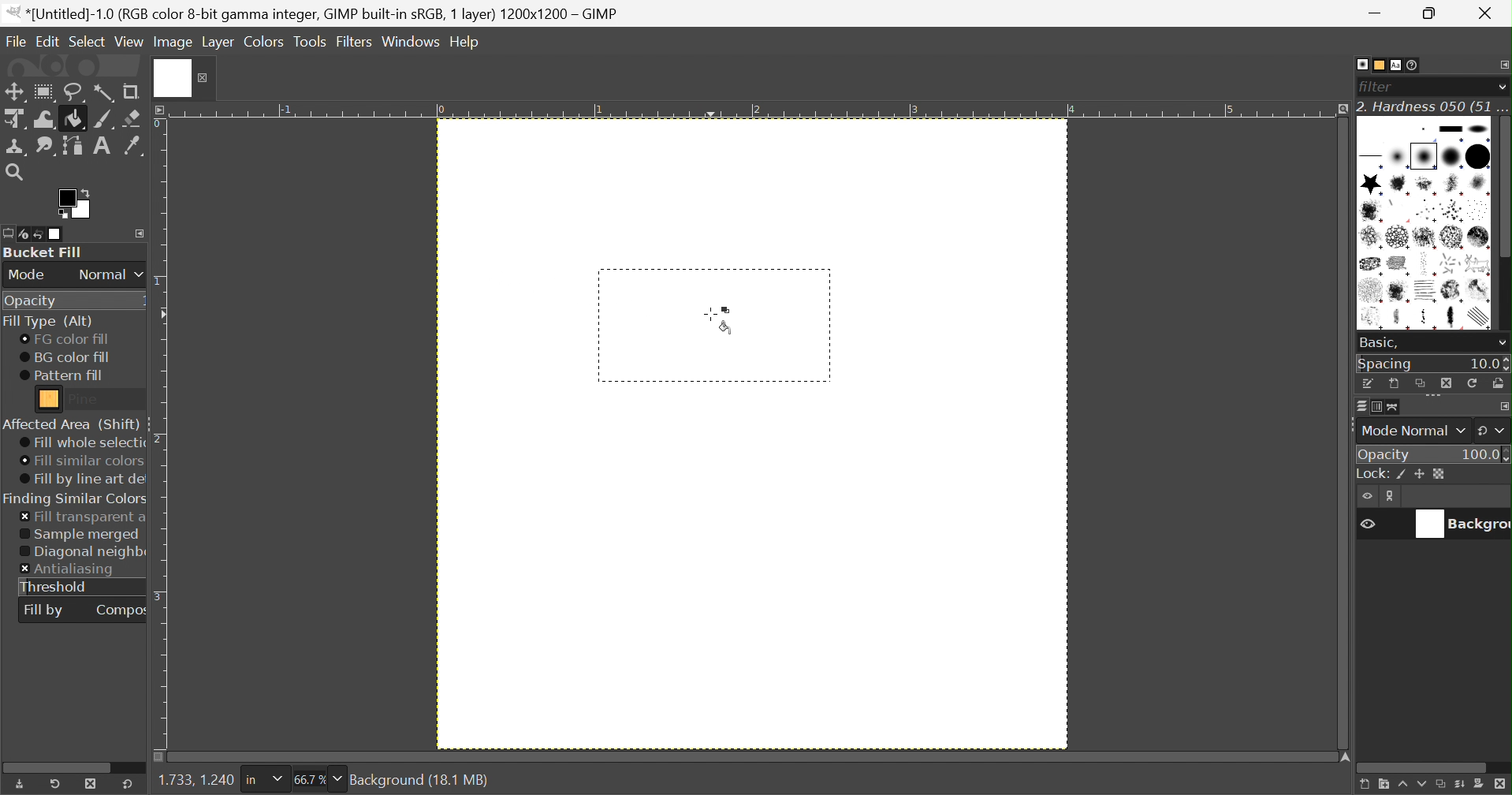  What do you see at coordinates (104, 120) in the screenshot?
I see `Paintbrush Tool` at bounding box center [104, 120].